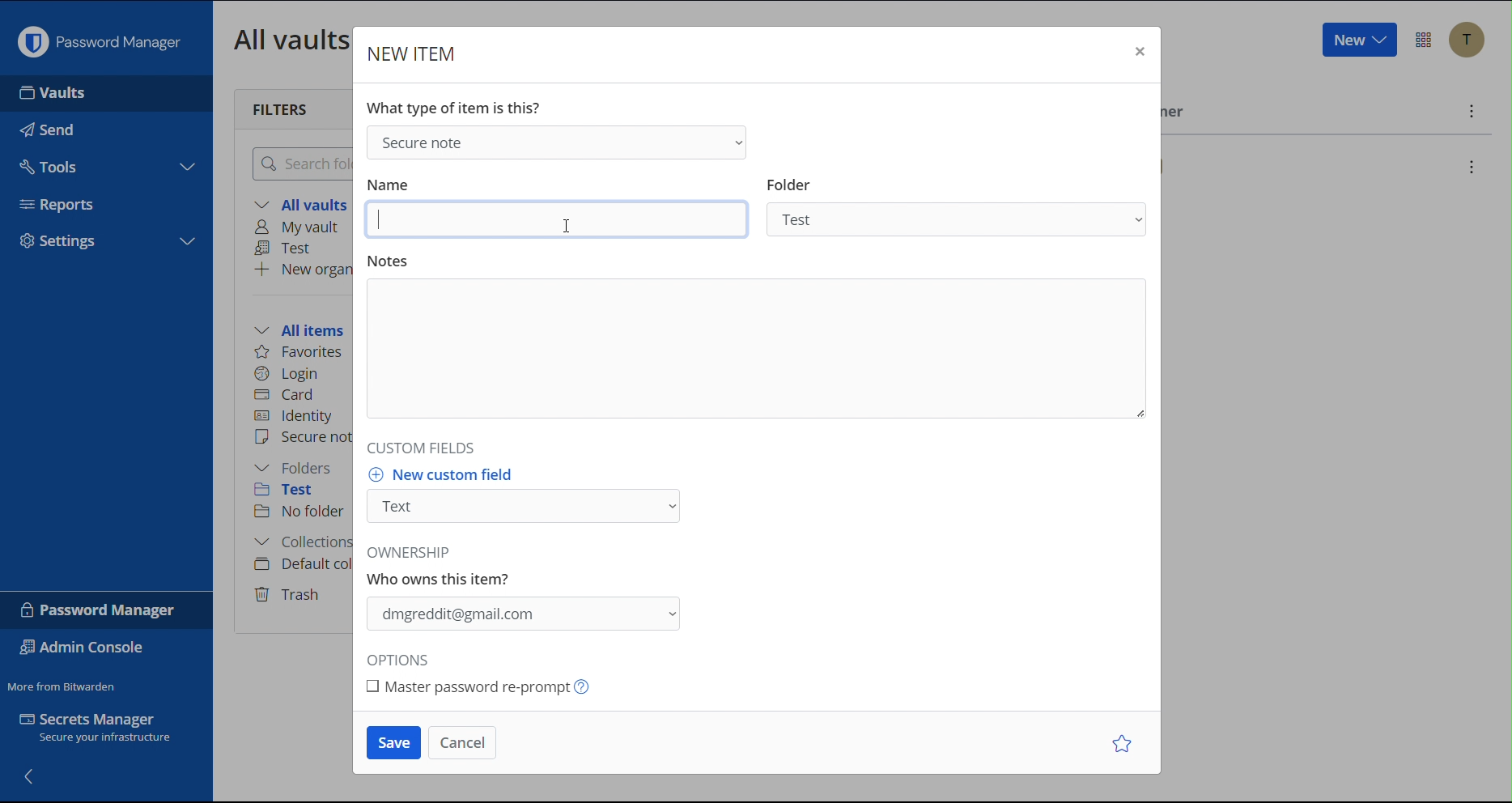 This screenshot has height=803, width=1512. I want to click on Custom Fields, so click(417, 447).